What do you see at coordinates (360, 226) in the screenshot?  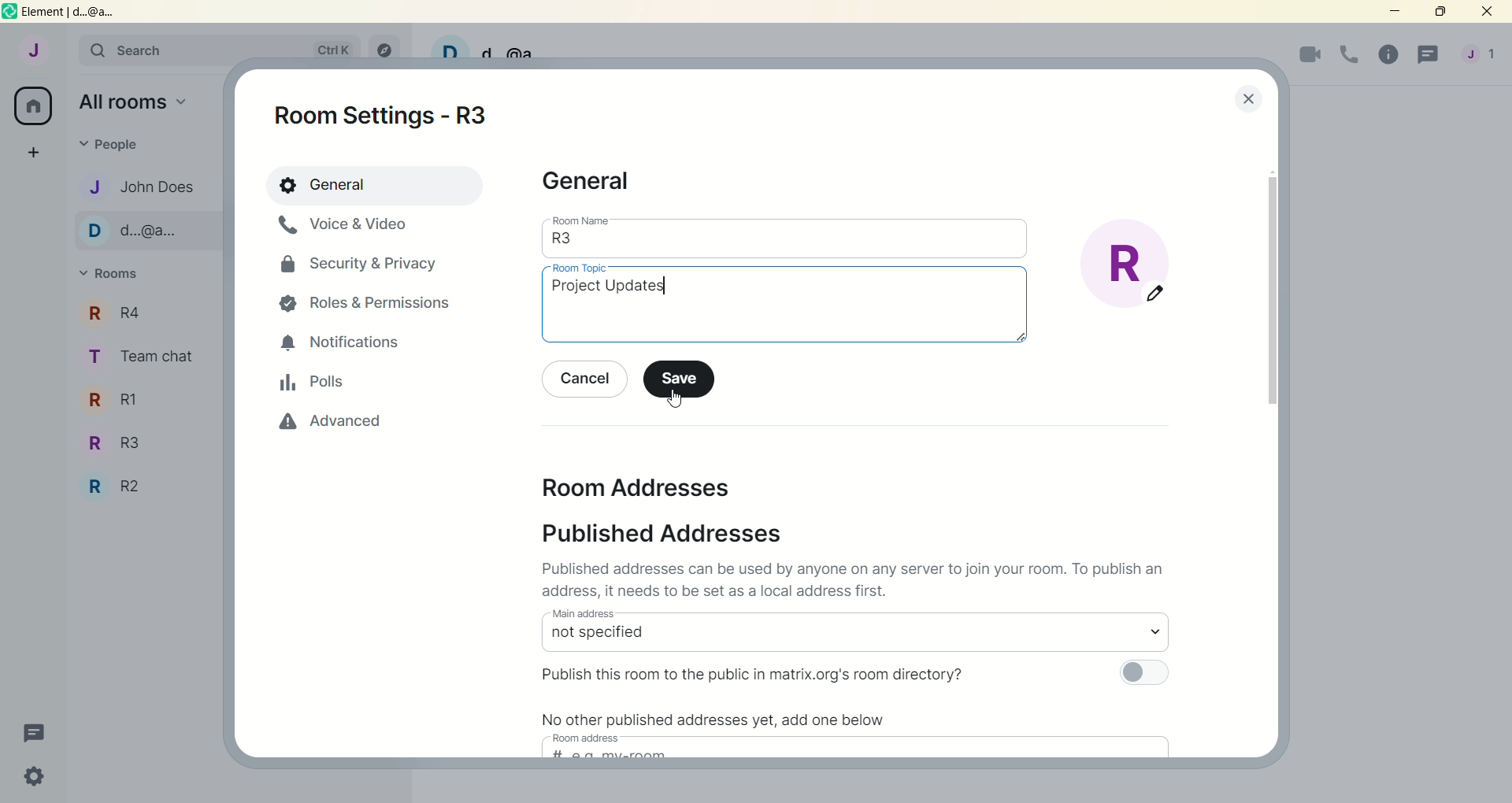 I see `voice and video` at bounding box center [360, 226].